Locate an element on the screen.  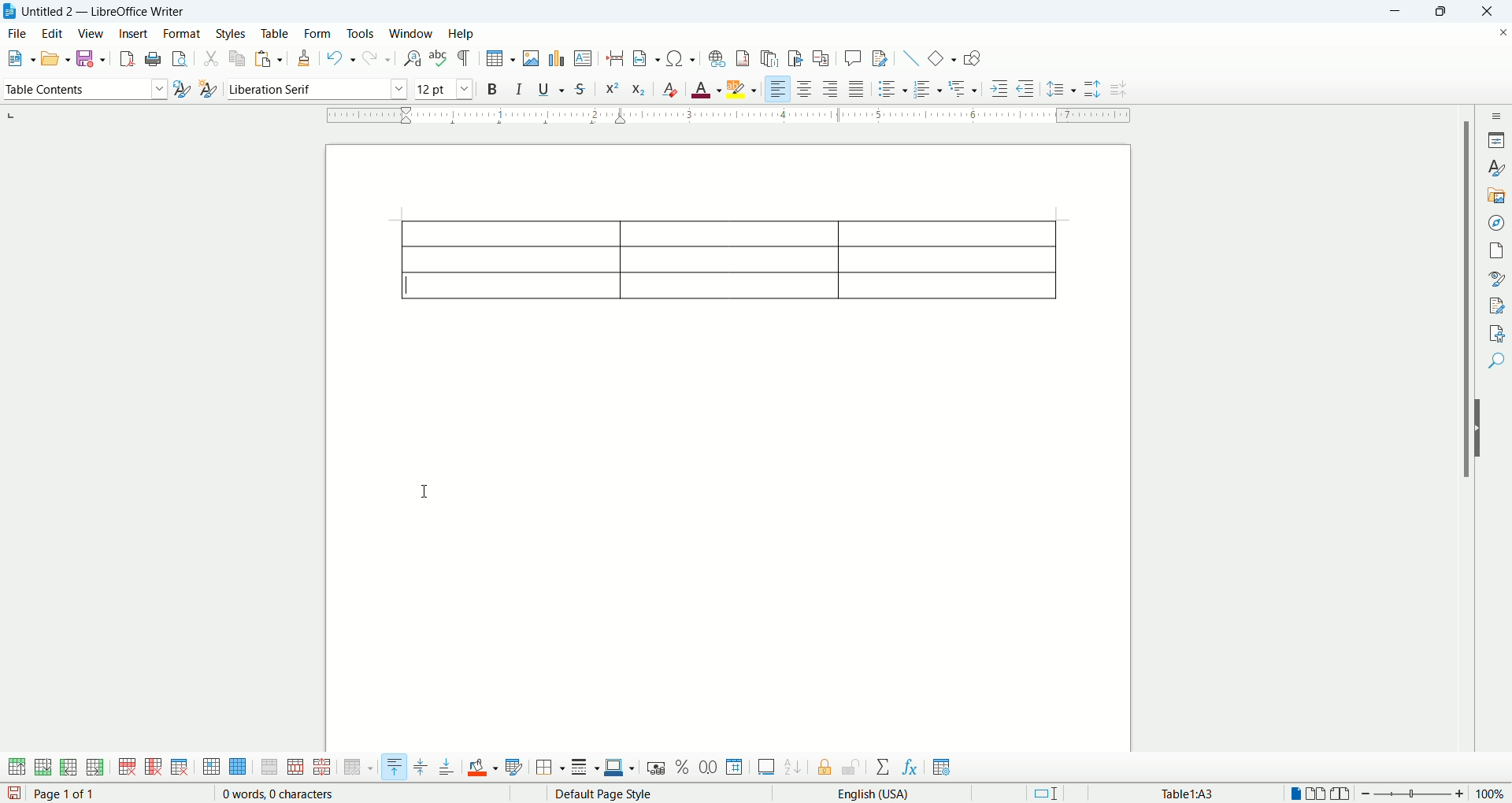
border style is located at coordinates (586, 769).